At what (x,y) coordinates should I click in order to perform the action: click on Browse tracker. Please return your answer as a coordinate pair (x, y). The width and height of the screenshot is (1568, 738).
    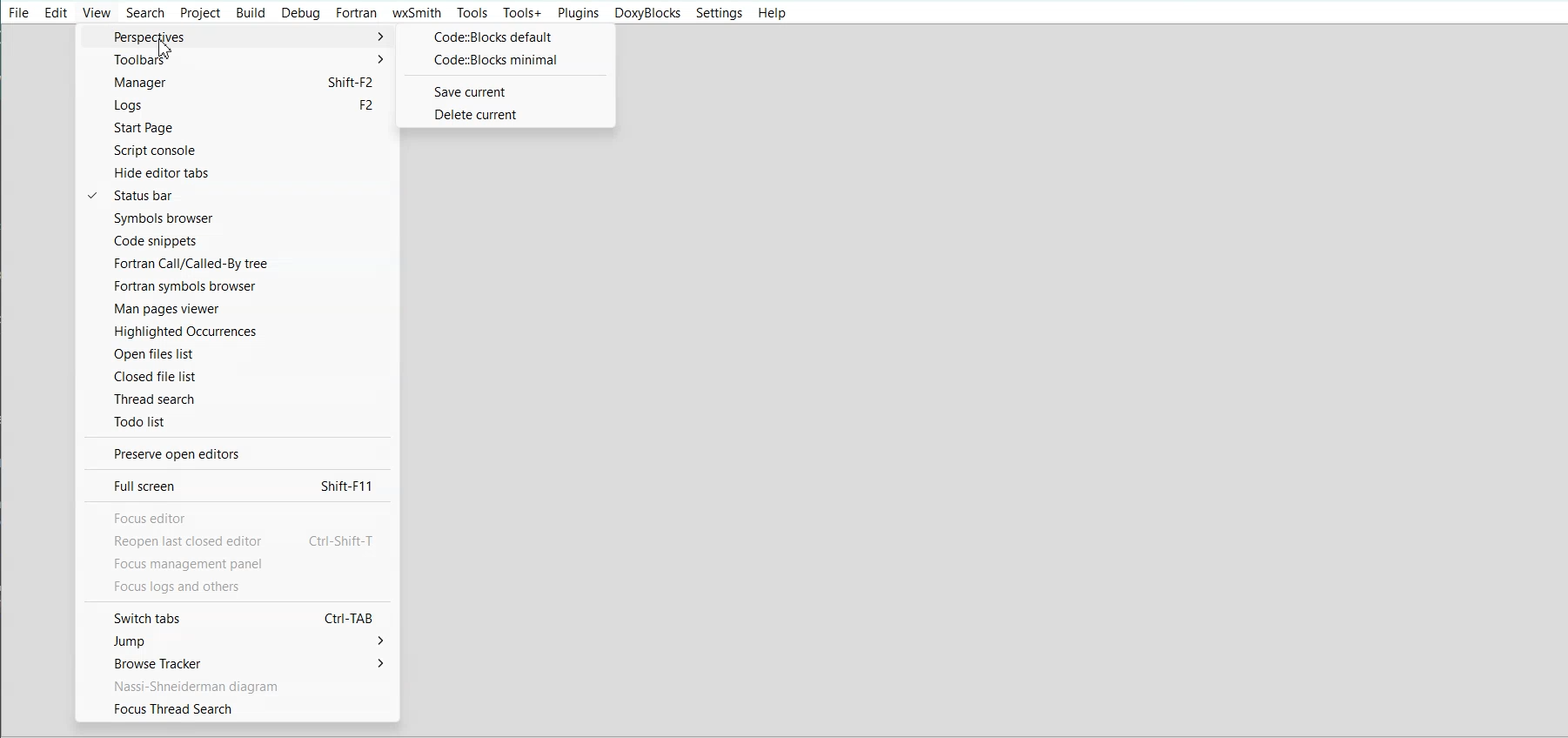
    Looking at the image, I should click on (245, 662).